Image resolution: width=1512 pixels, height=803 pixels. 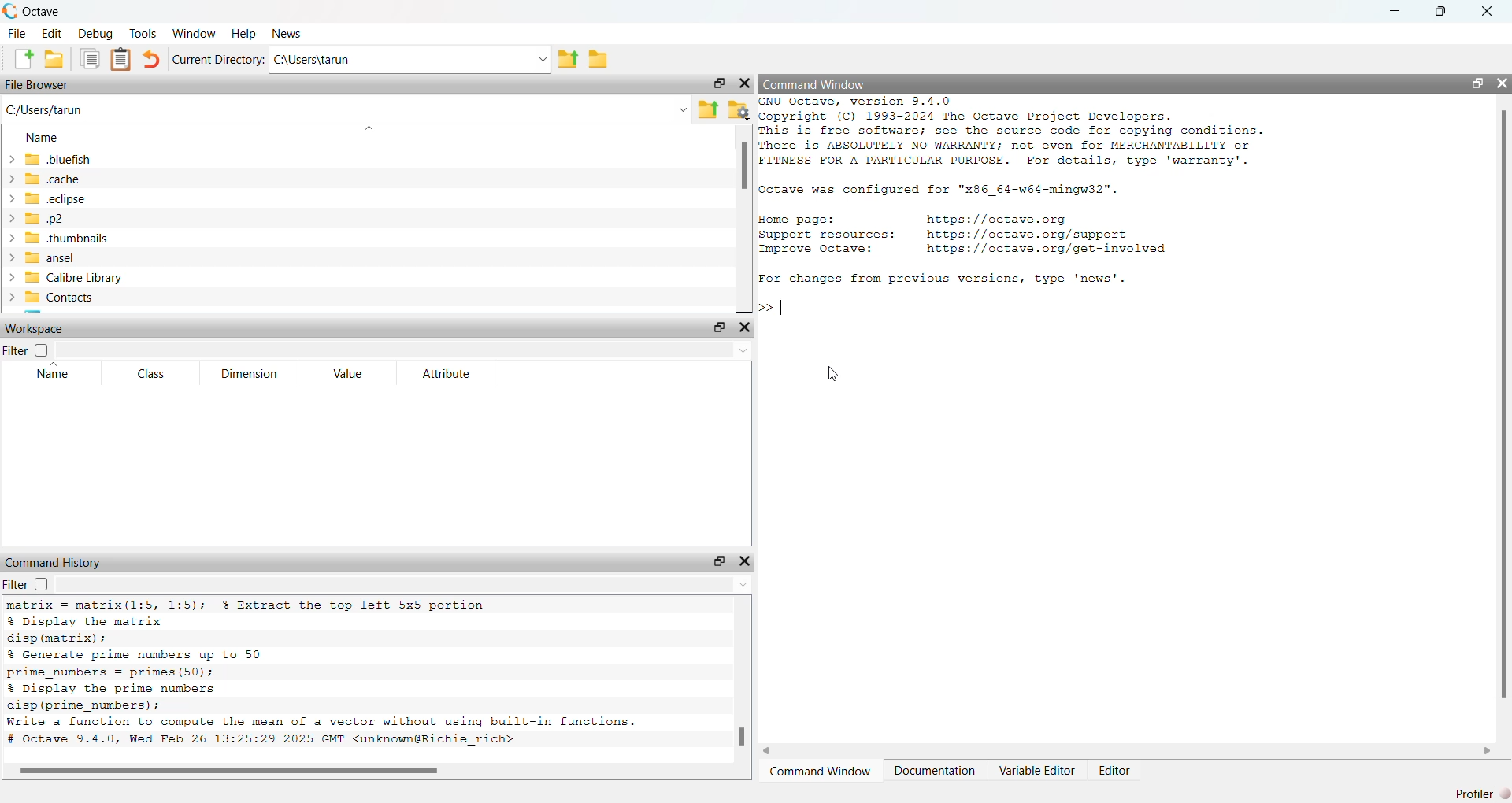 I want to click on .eclipse, so click(x=55, y=200).